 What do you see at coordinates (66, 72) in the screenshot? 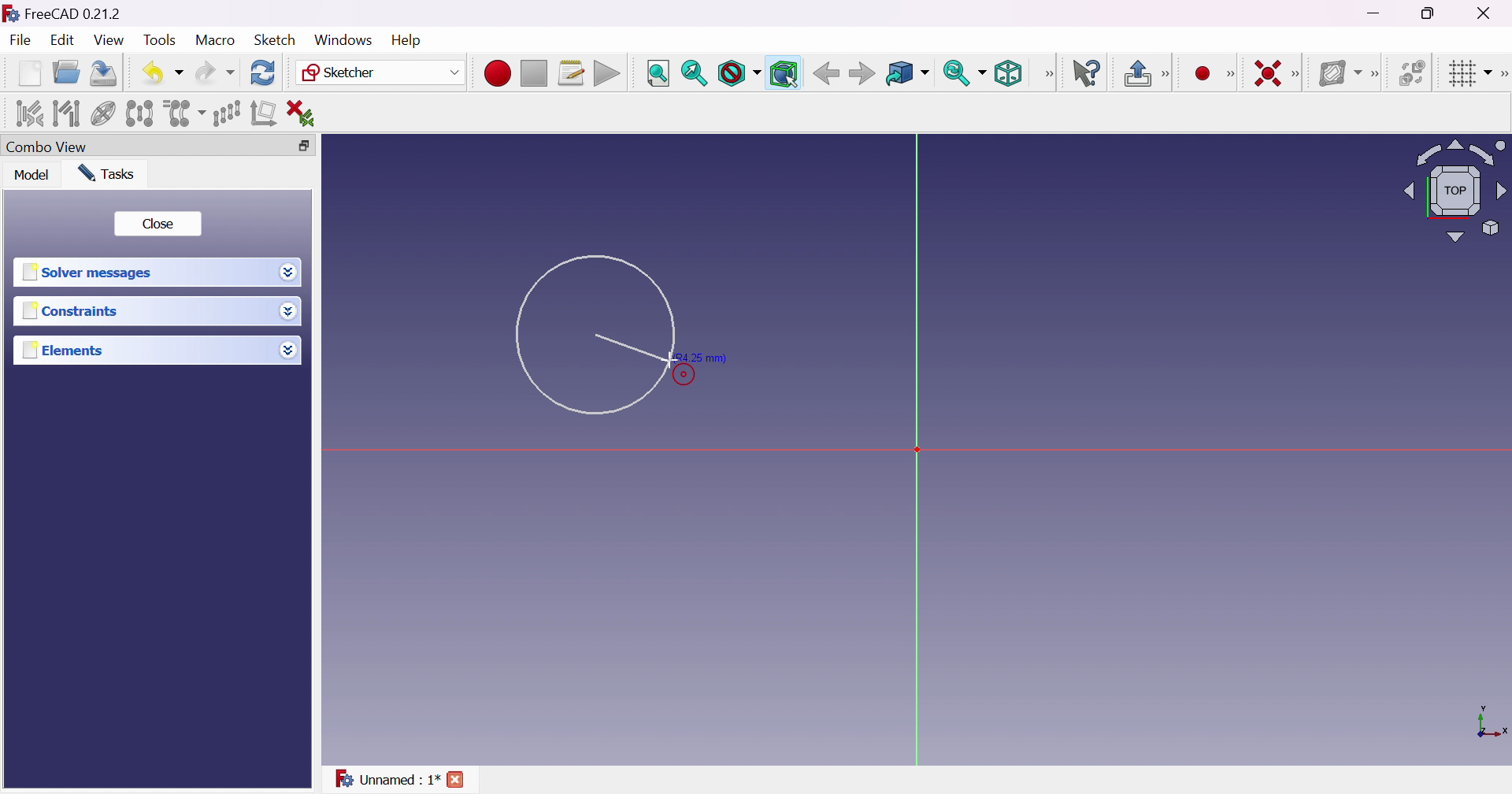
I see `Open` at bounding box center [66, 72].